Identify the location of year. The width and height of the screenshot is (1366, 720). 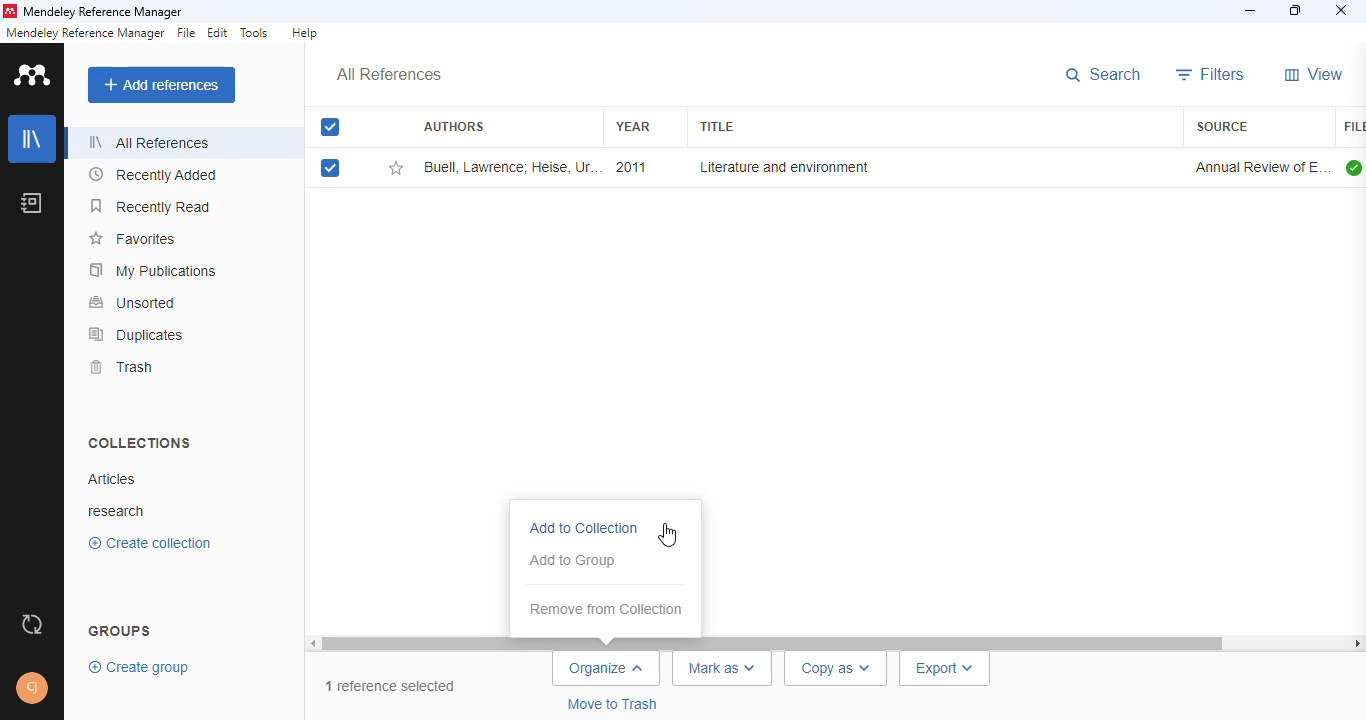
(633, 126).